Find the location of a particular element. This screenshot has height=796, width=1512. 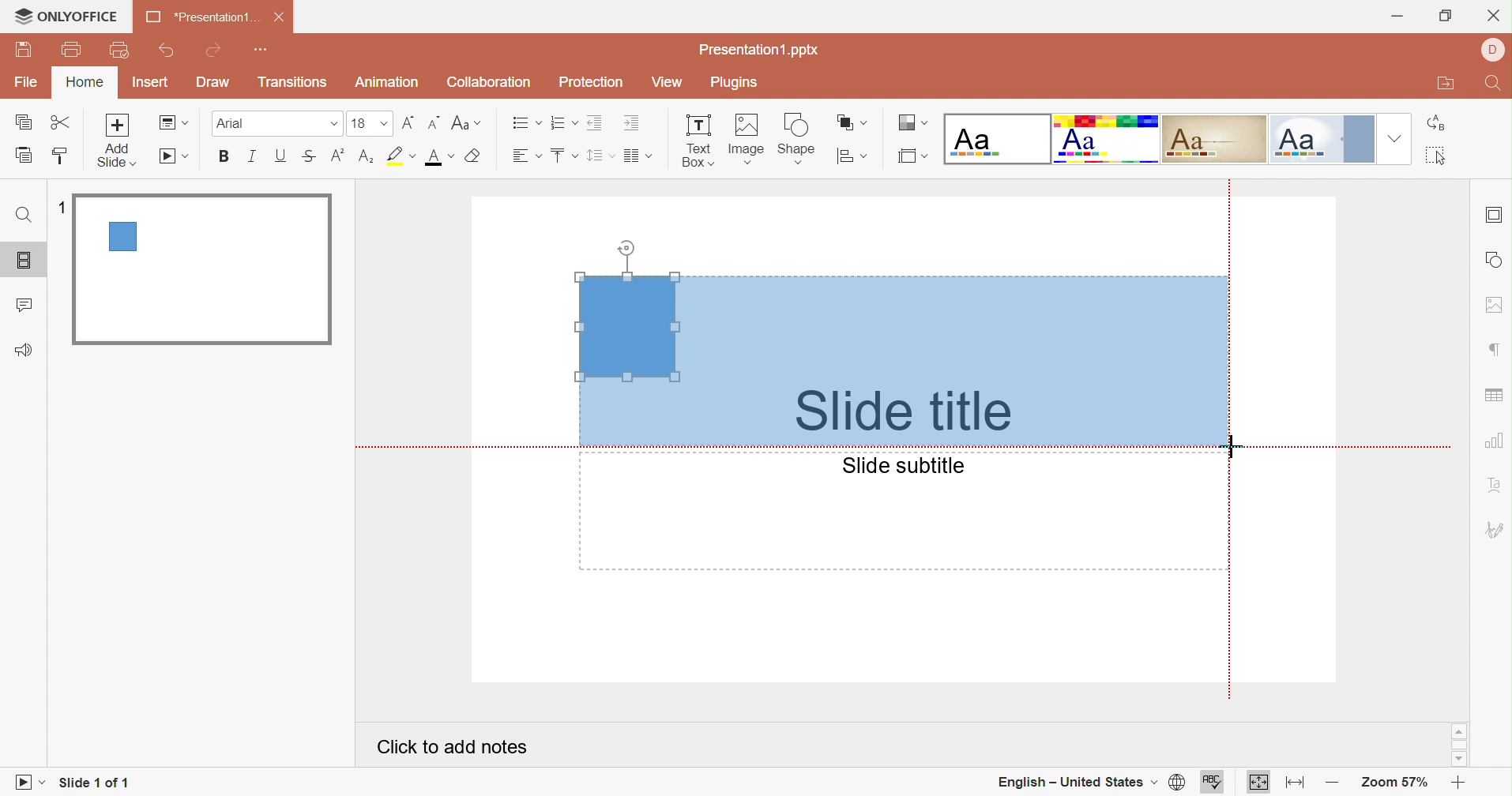

Scroll down is located at coordinates (1457, 760).